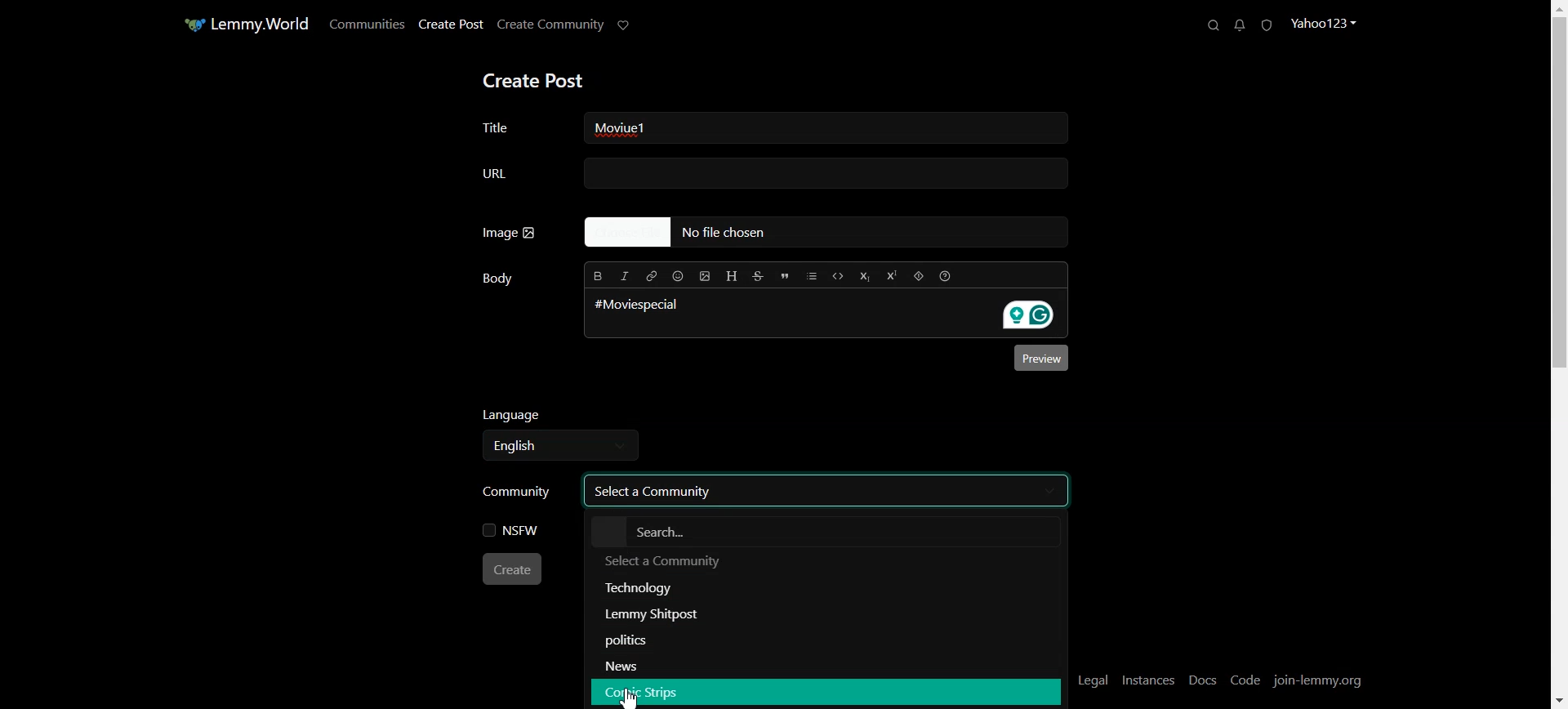 The height and width of the screenshot is (709, 1568). I want to click on Join-lemmy.org, so click(1322, 681).